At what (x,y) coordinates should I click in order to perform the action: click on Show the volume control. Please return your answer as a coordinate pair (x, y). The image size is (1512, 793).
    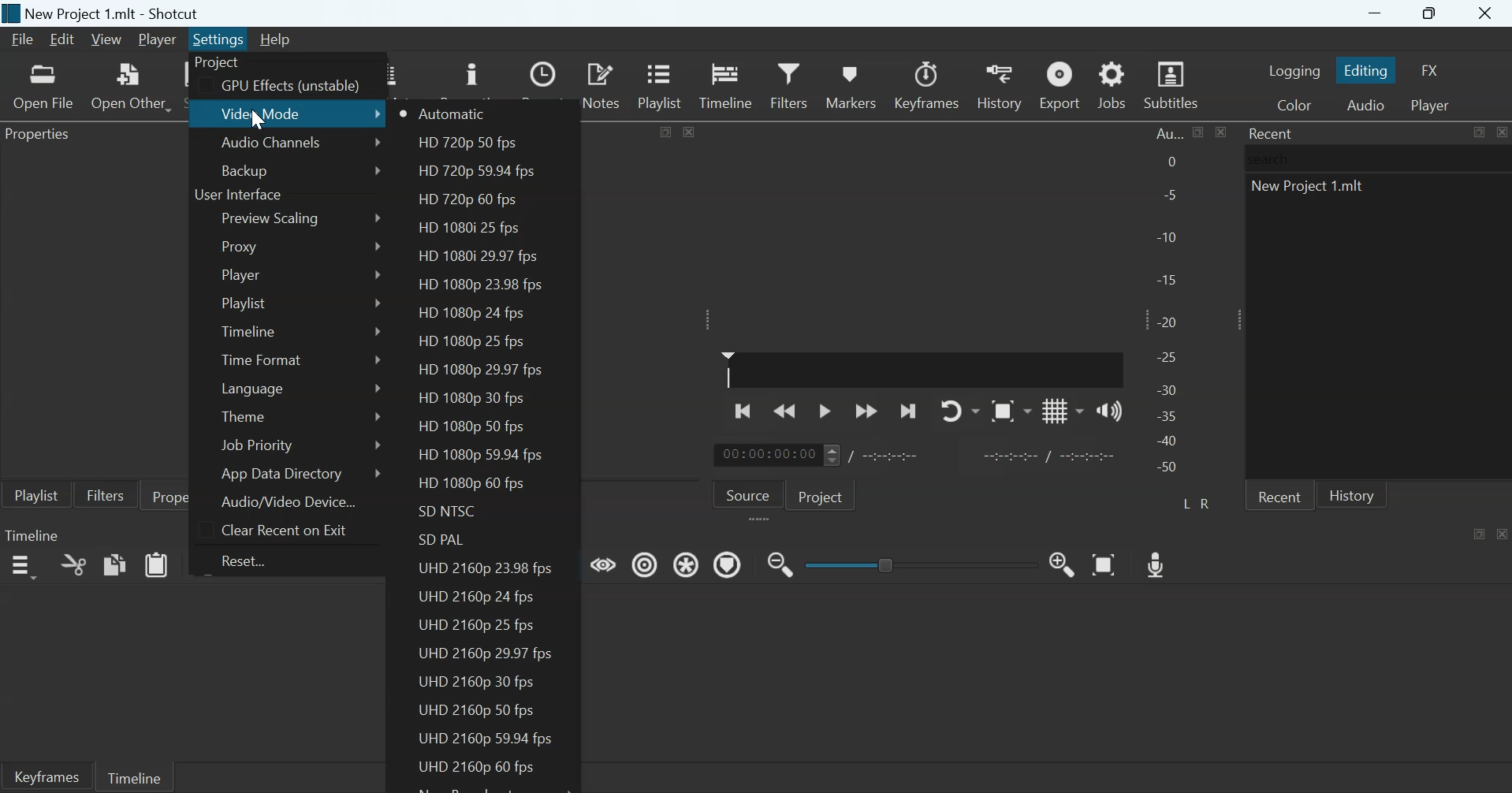
    Looking at the image, I should click on (1109, 410).